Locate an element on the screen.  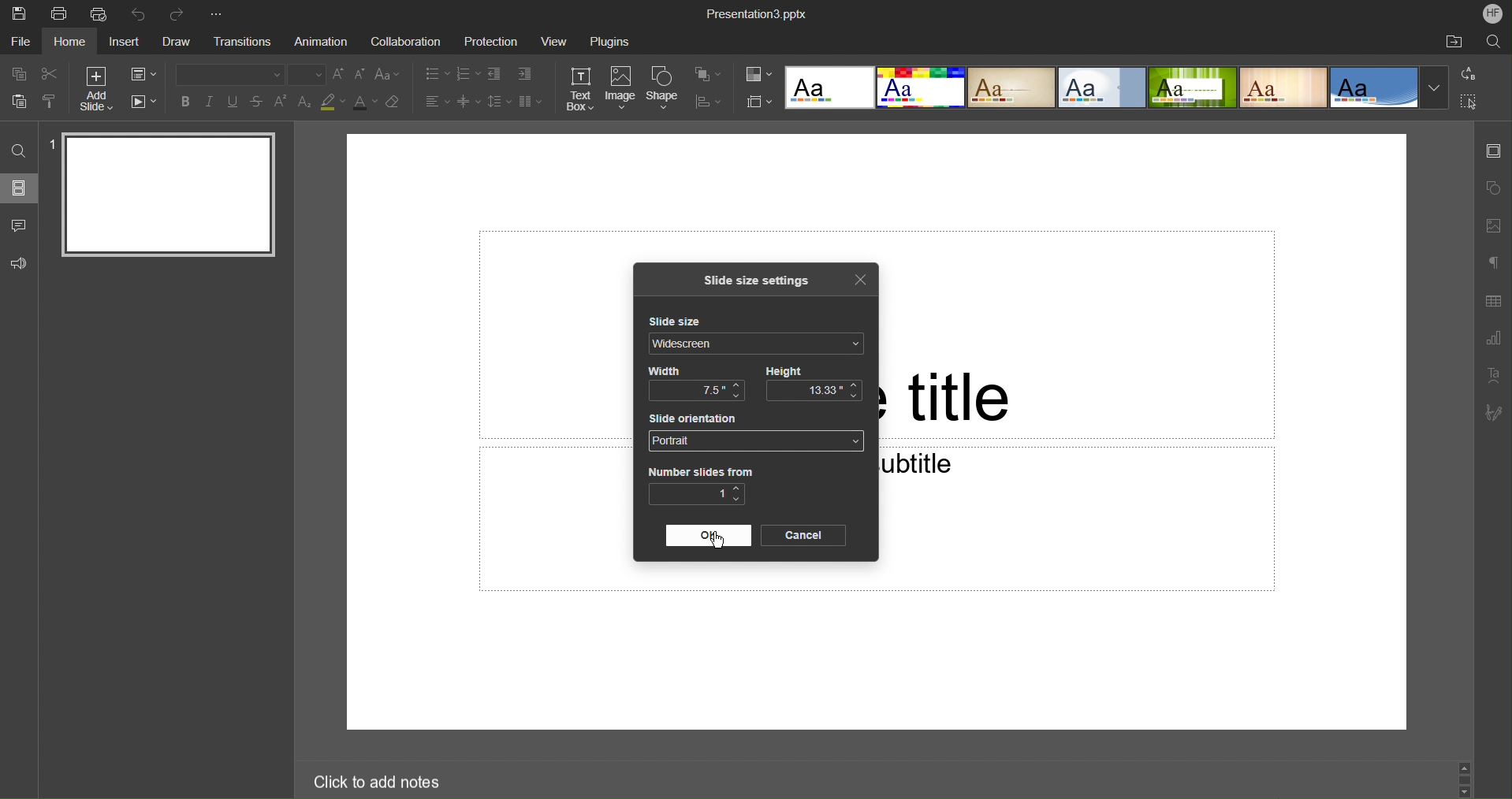
File is located at coordinates (19, 43).